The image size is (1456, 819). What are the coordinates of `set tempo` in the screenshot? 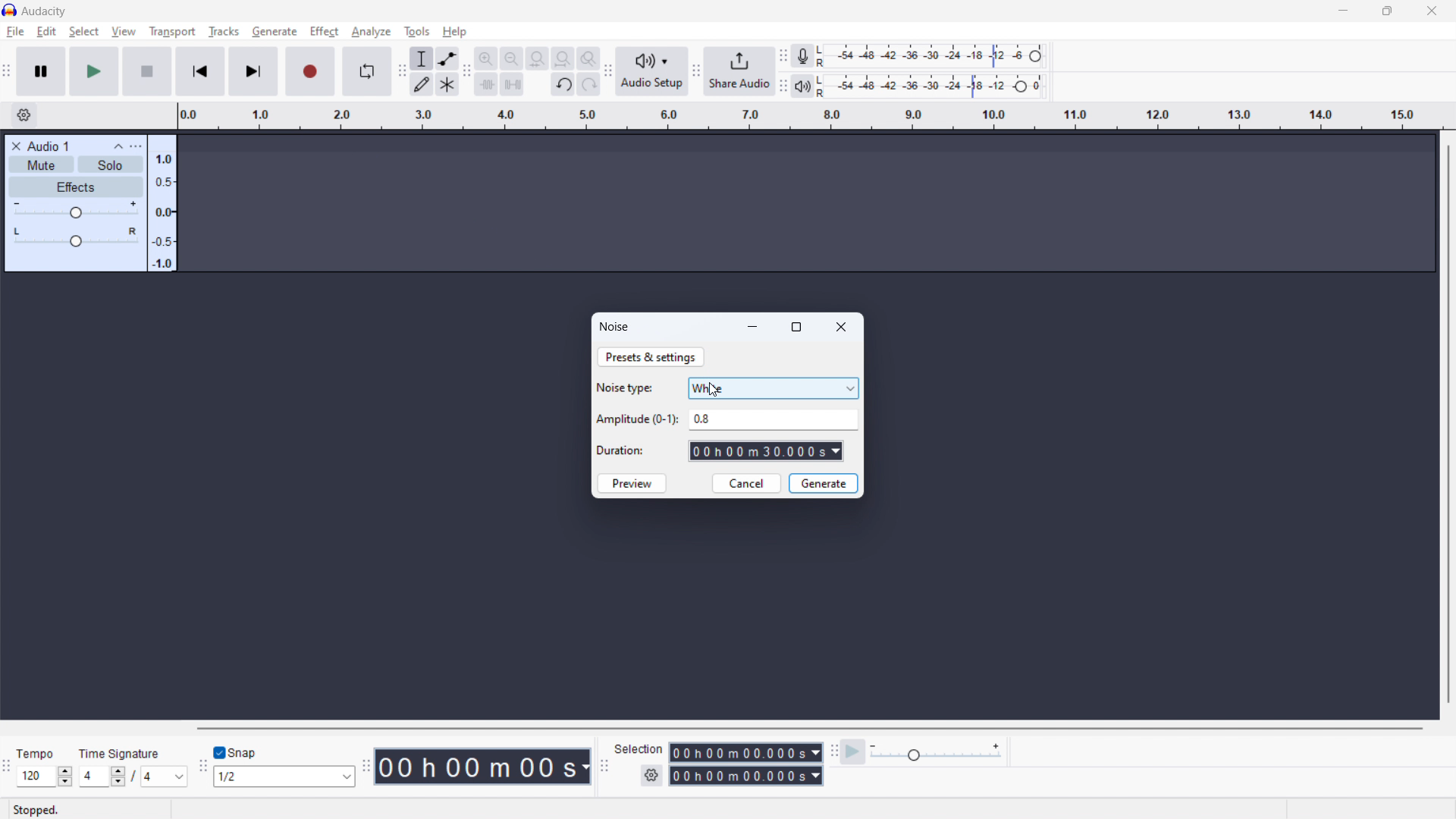 It's located at (44, 777).